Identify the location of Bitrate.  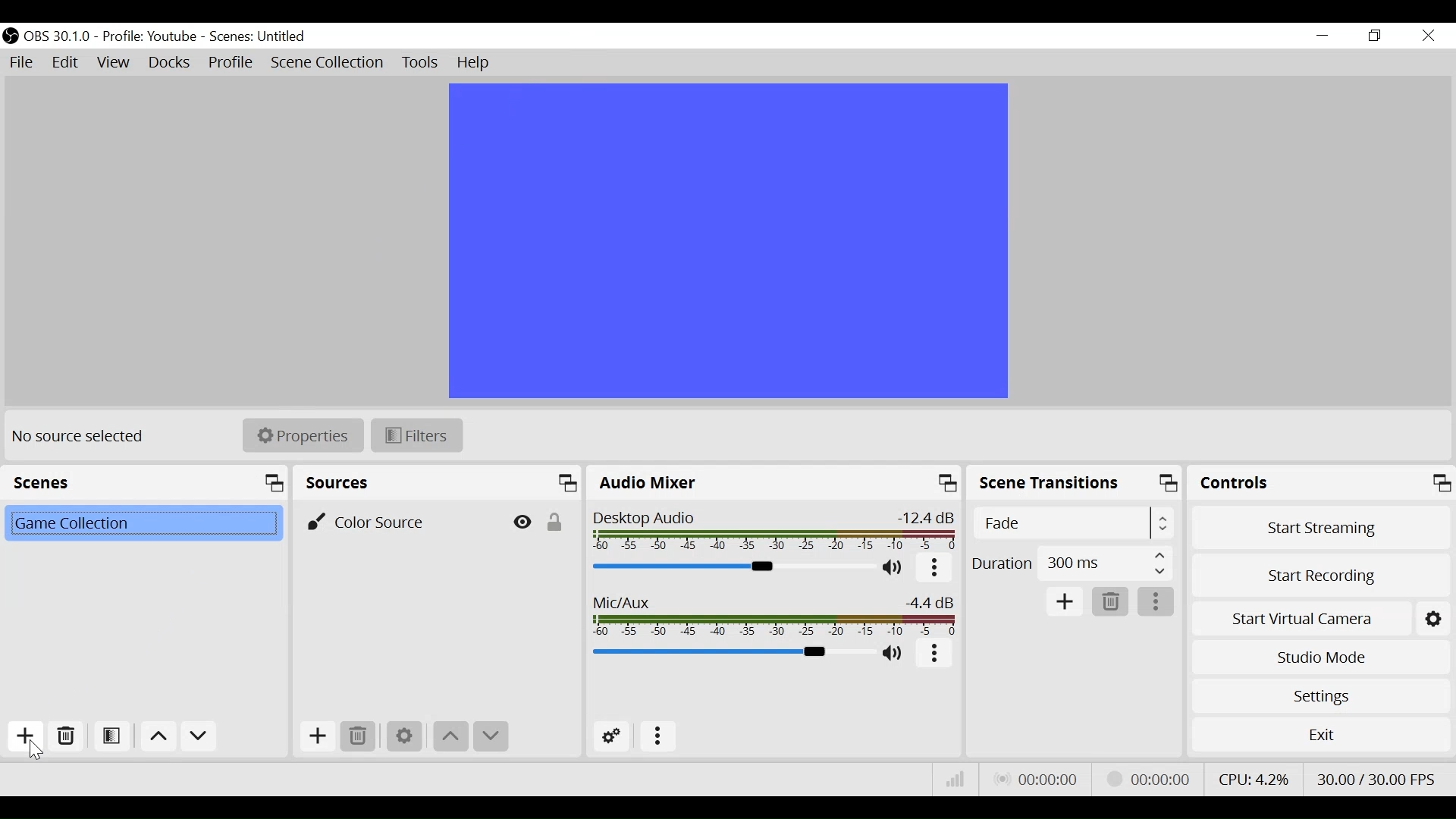
(954, 778).